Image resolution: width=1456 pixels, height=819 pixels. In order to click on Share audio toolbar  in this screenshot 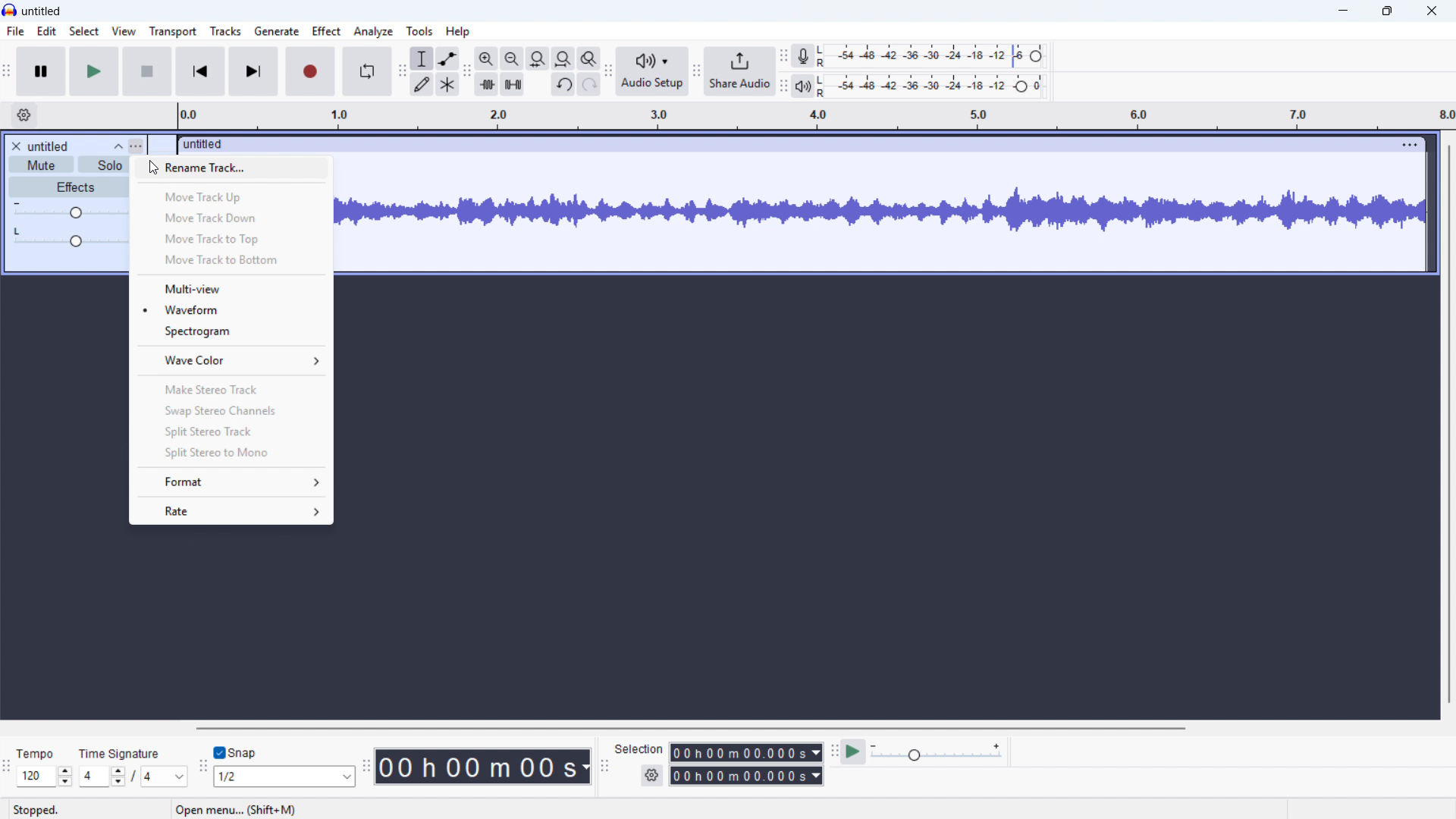, I will do `click(695, 73)`.